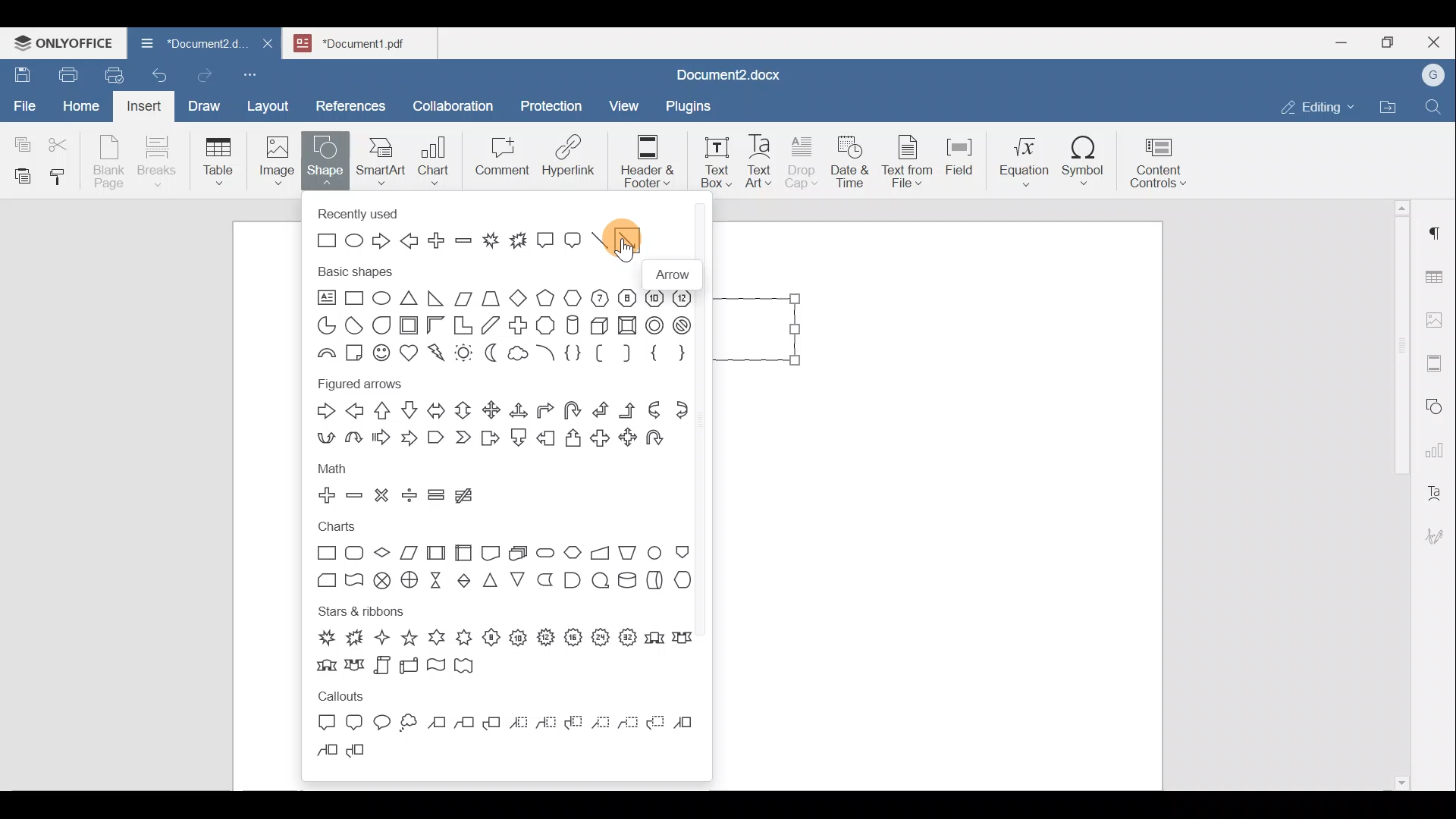  What do you see at coordinates (497, 160) in the screenshot?
I see `Comment` at bounding box center [497, 160].